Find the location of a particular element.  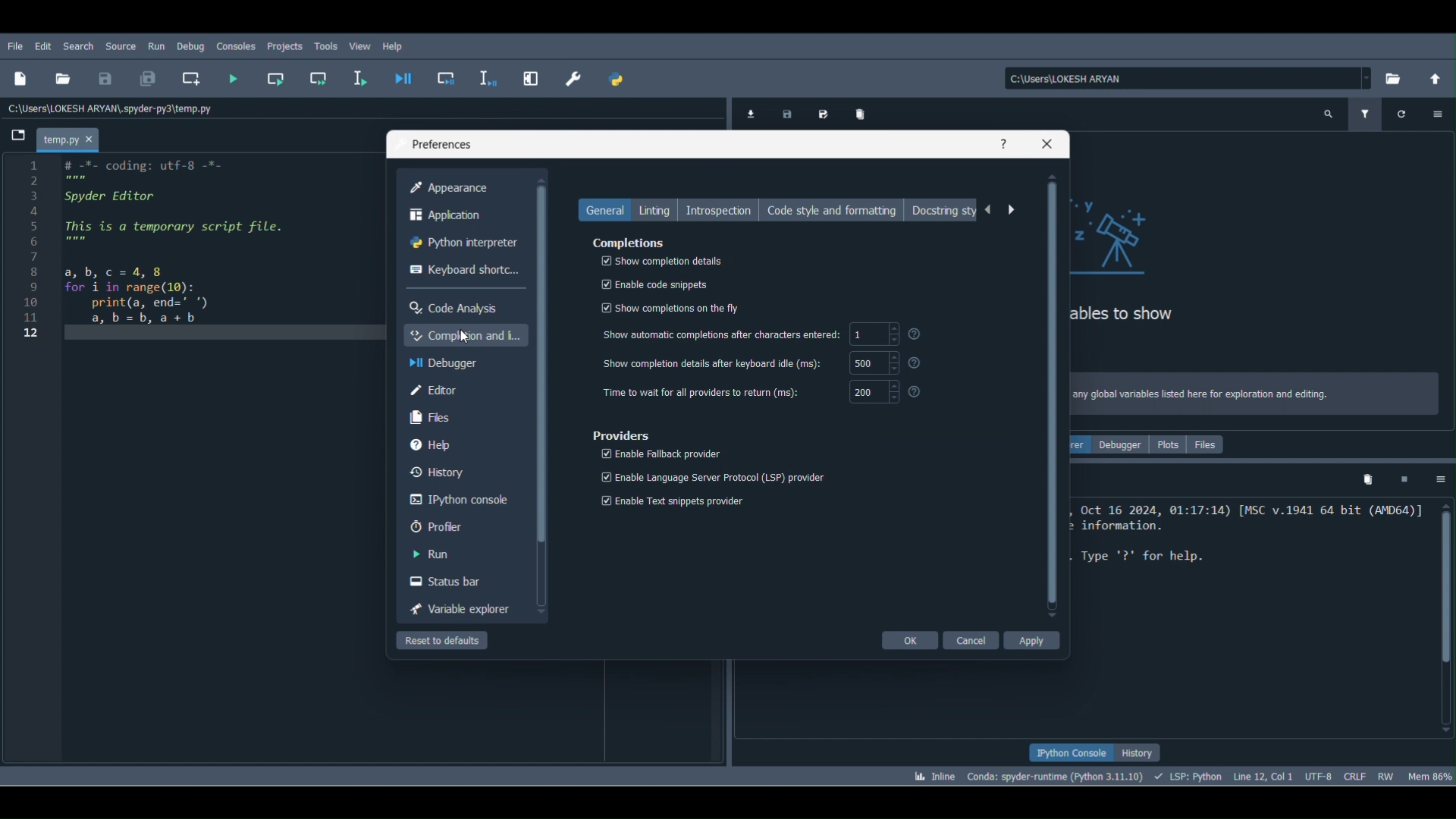

Debug selection or current line is located at coordinates (490, 80).